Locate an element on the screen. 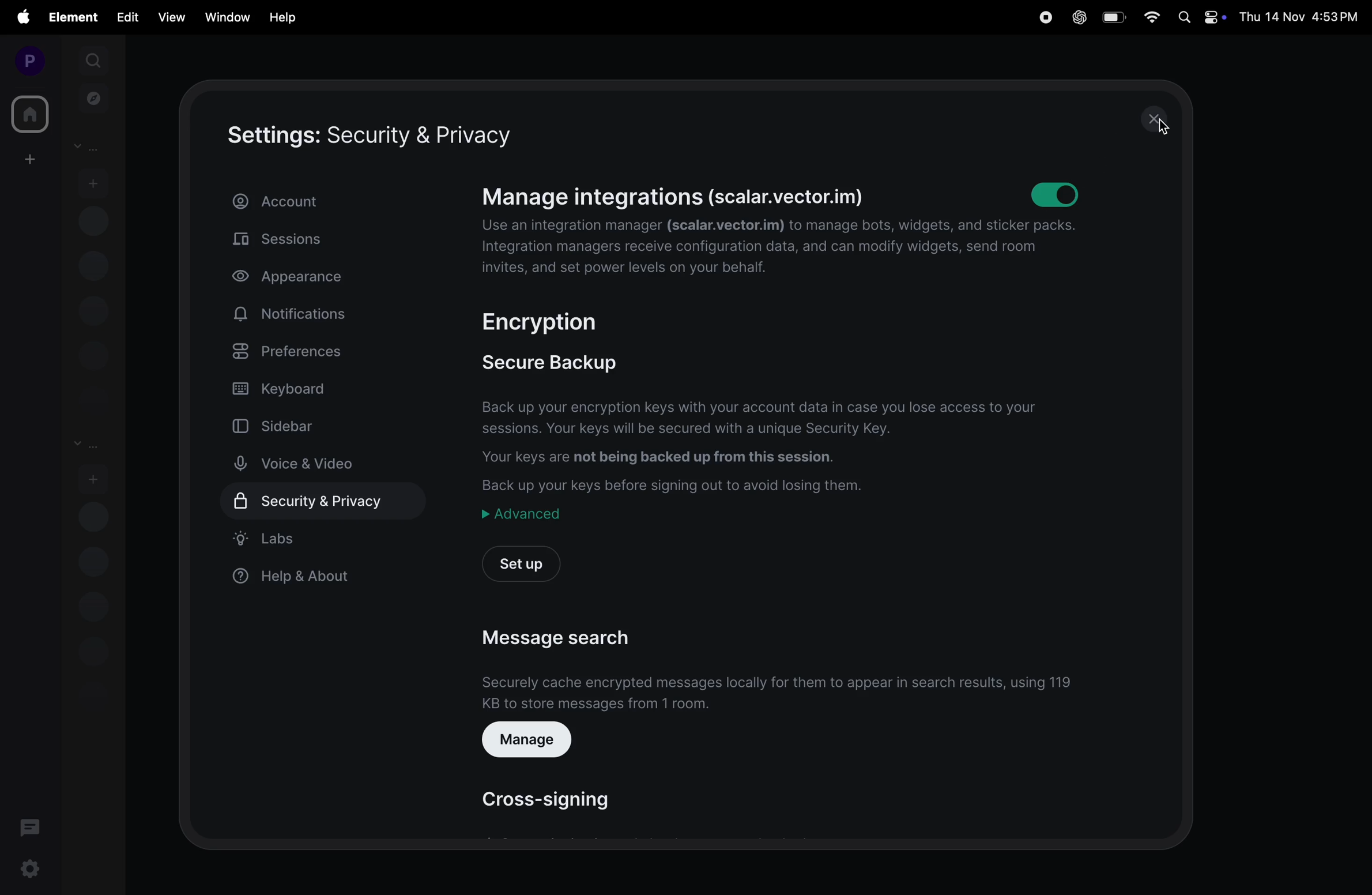  setting security and privacy is located at coordinates (378, 136).